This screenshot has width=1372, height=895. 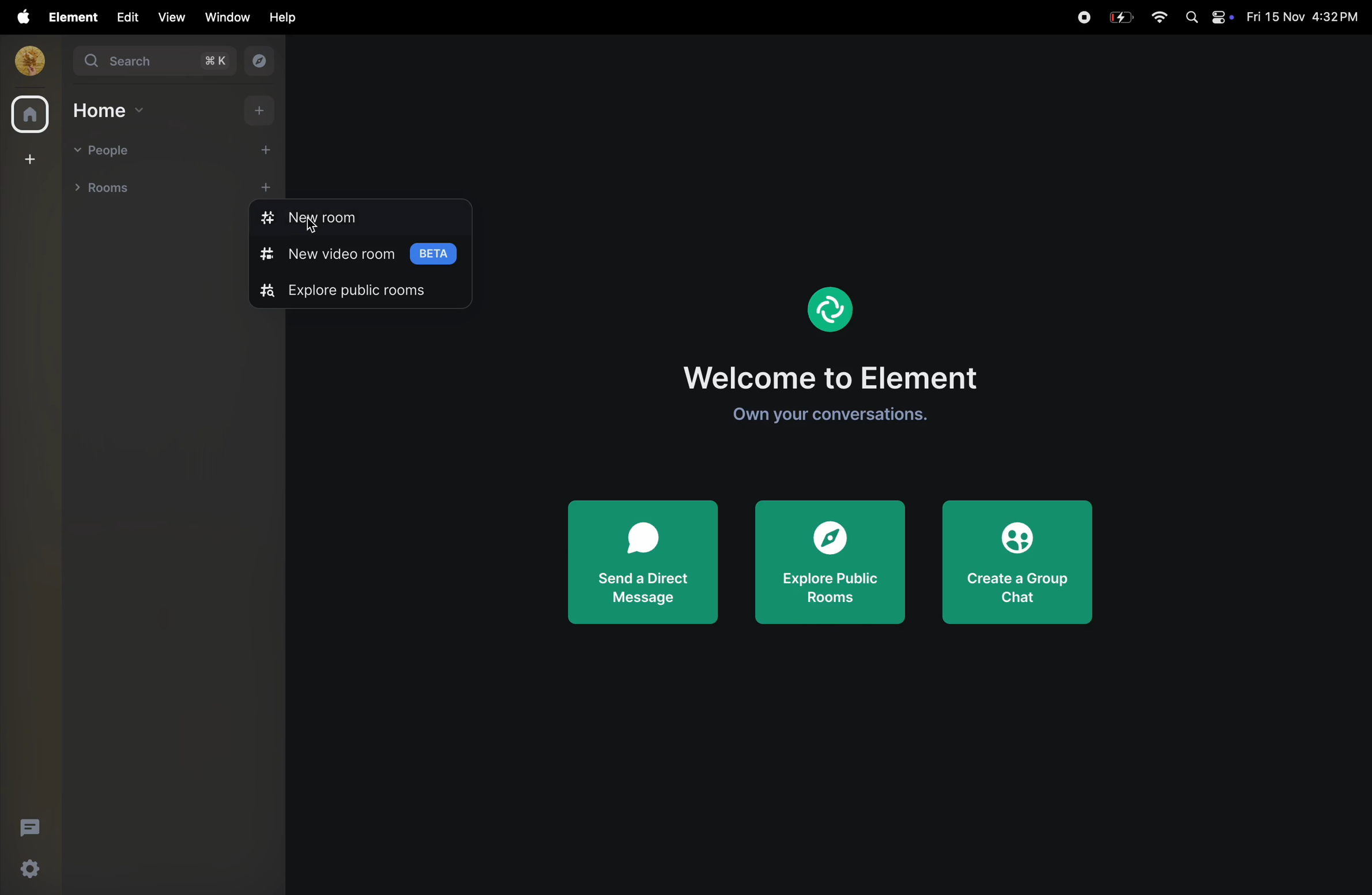 I want to click on cursor, so click(x=314, y=228).